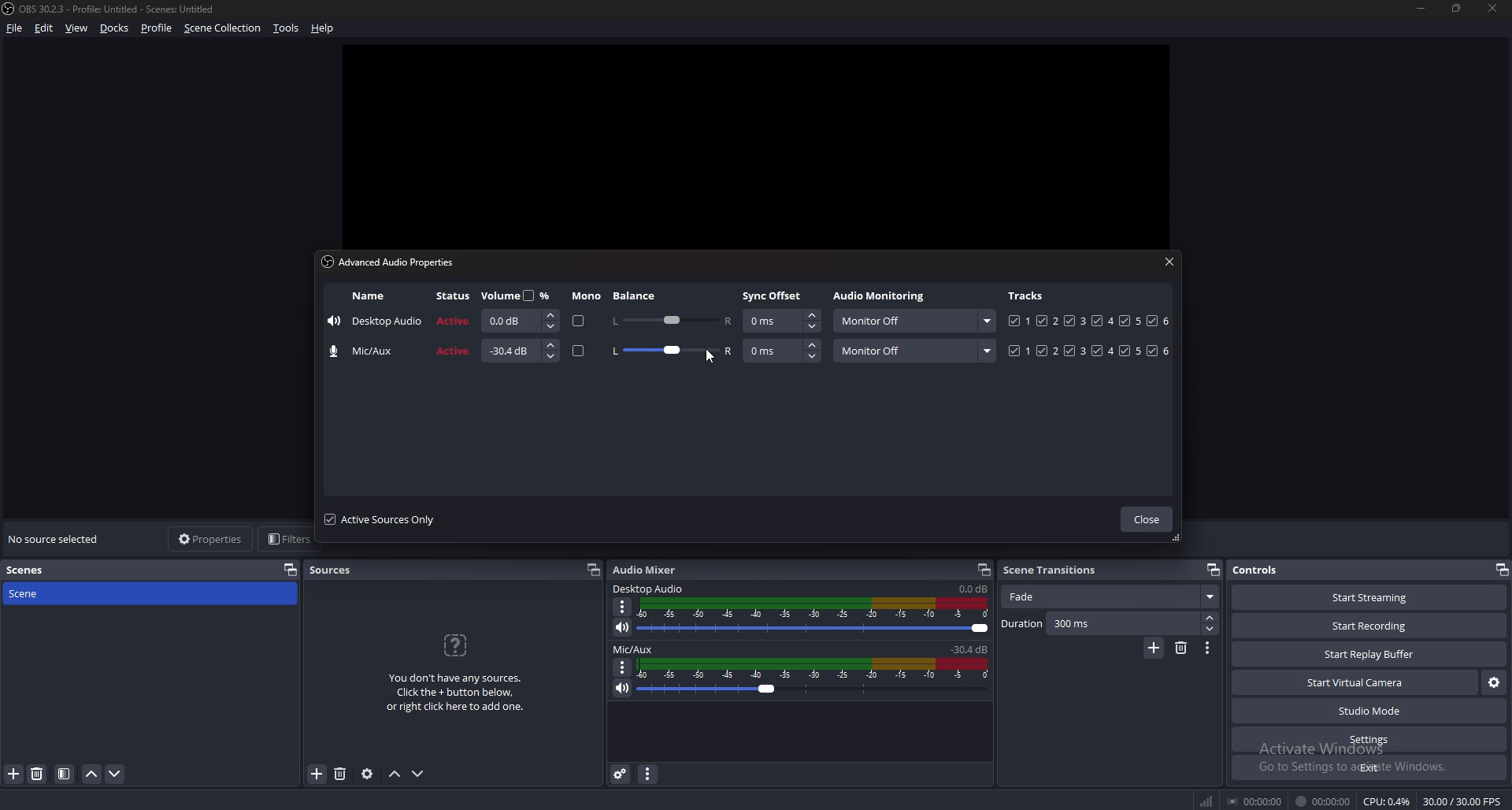  Describe the element at coordinates (817, 616) in the screenshot. I see `desktop audio adjust` at that location.